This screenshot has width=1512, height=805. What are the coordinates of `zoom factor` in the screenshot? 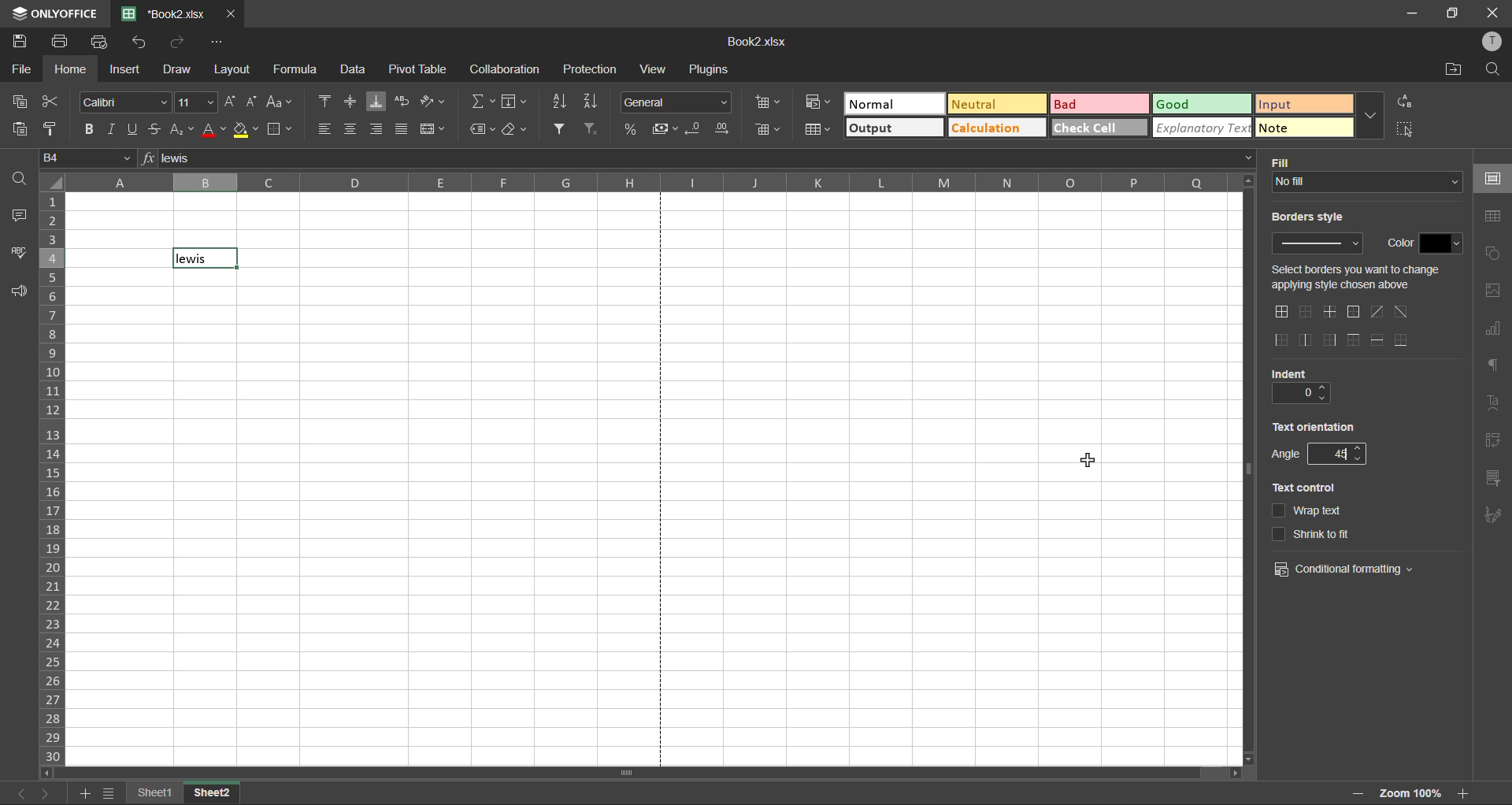 It's located at (1410, 794).